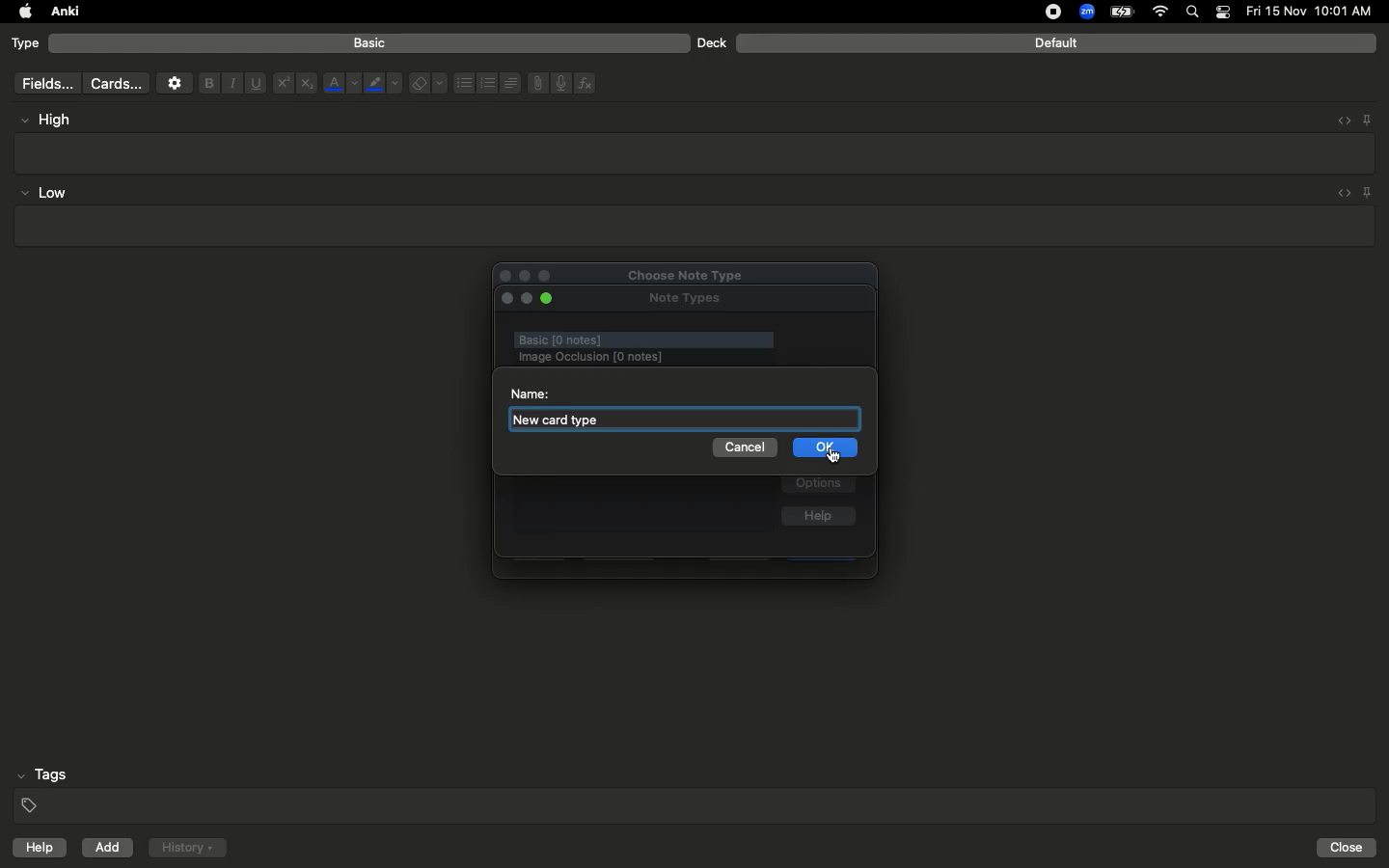 The height and width of the screenshot is (868, 1389). I want to click on Deck, so click(711, 42).